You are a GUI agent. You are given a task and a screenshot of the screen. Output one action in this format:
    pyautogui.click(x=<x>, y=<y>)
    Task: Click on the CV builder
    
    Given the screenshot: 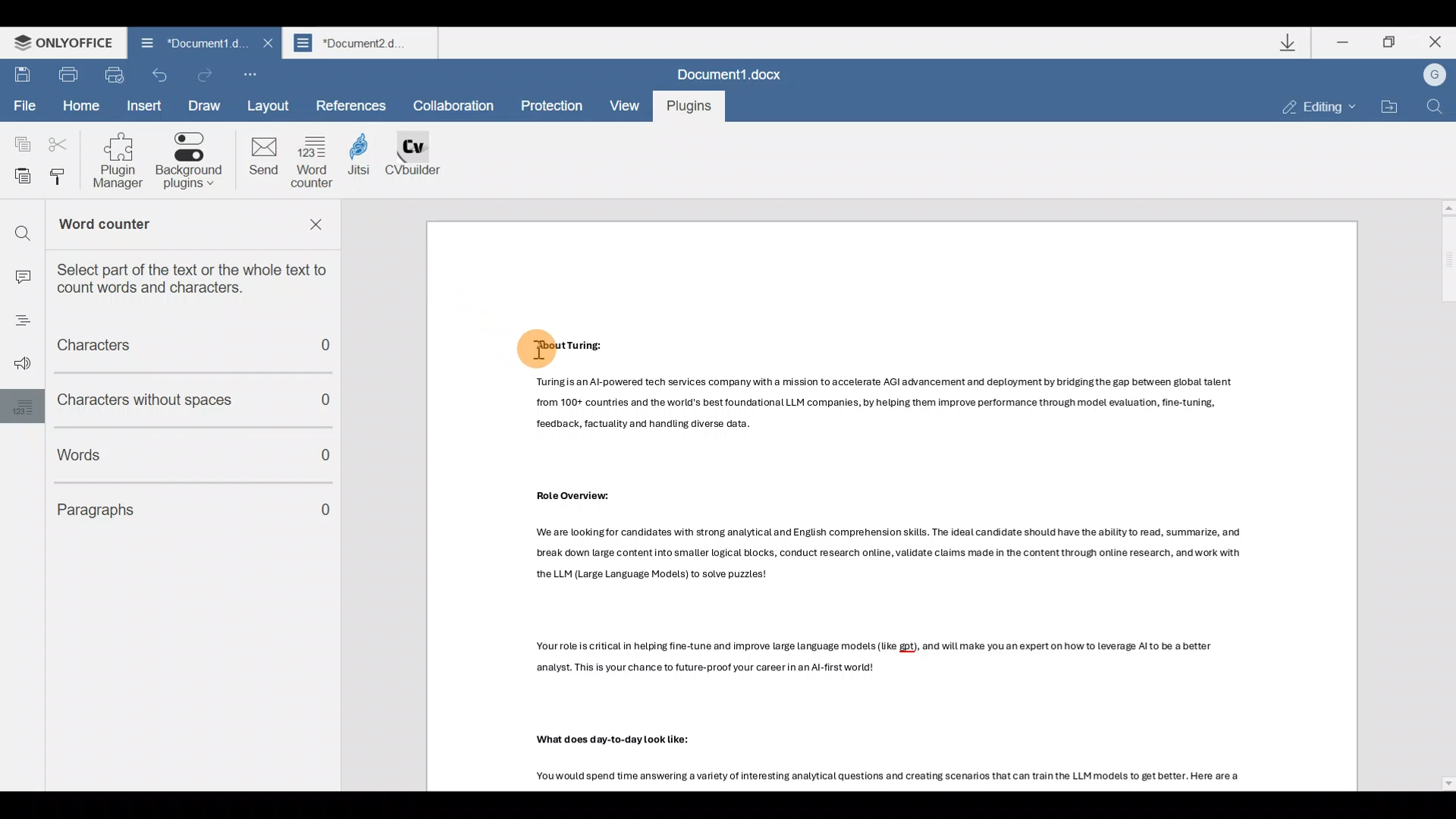 What is the action you would take?
    pyautogui.click(x=422, y=162)
    